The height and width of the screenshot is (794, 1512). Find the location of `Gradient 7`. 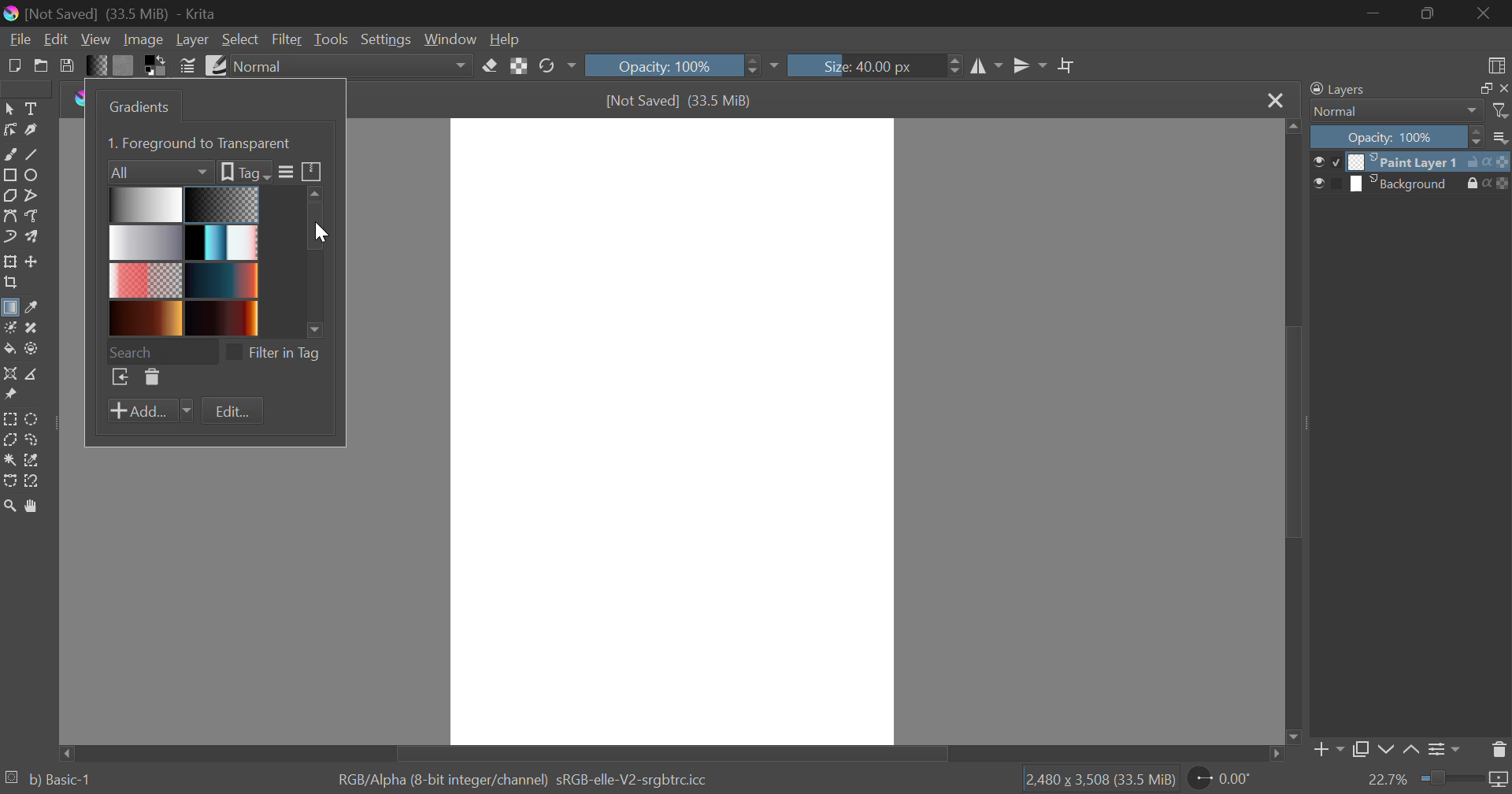

Gradient 7 is located at coordinates (146, 318).